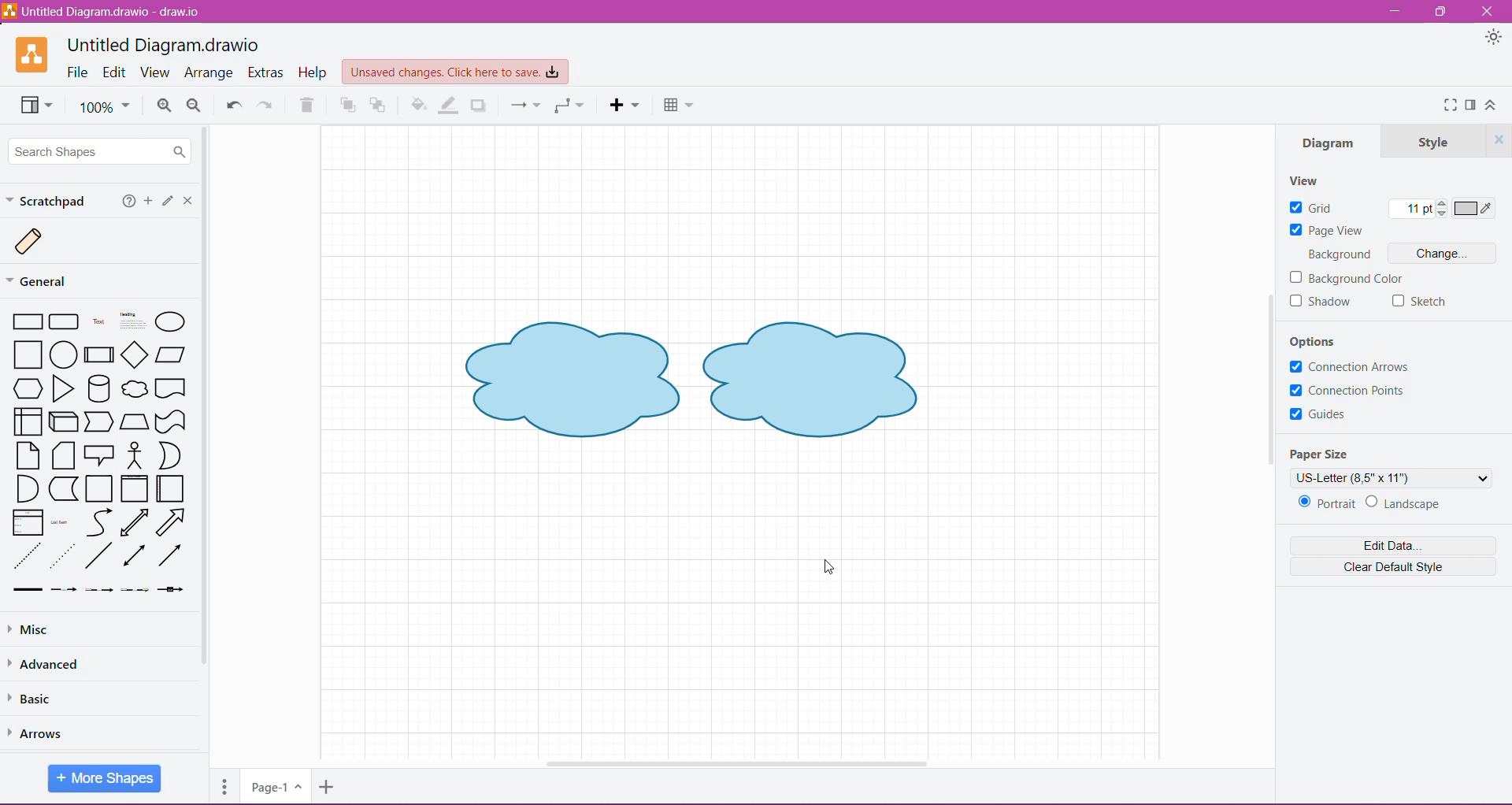  I want to click on To Back, so click(379, 106).